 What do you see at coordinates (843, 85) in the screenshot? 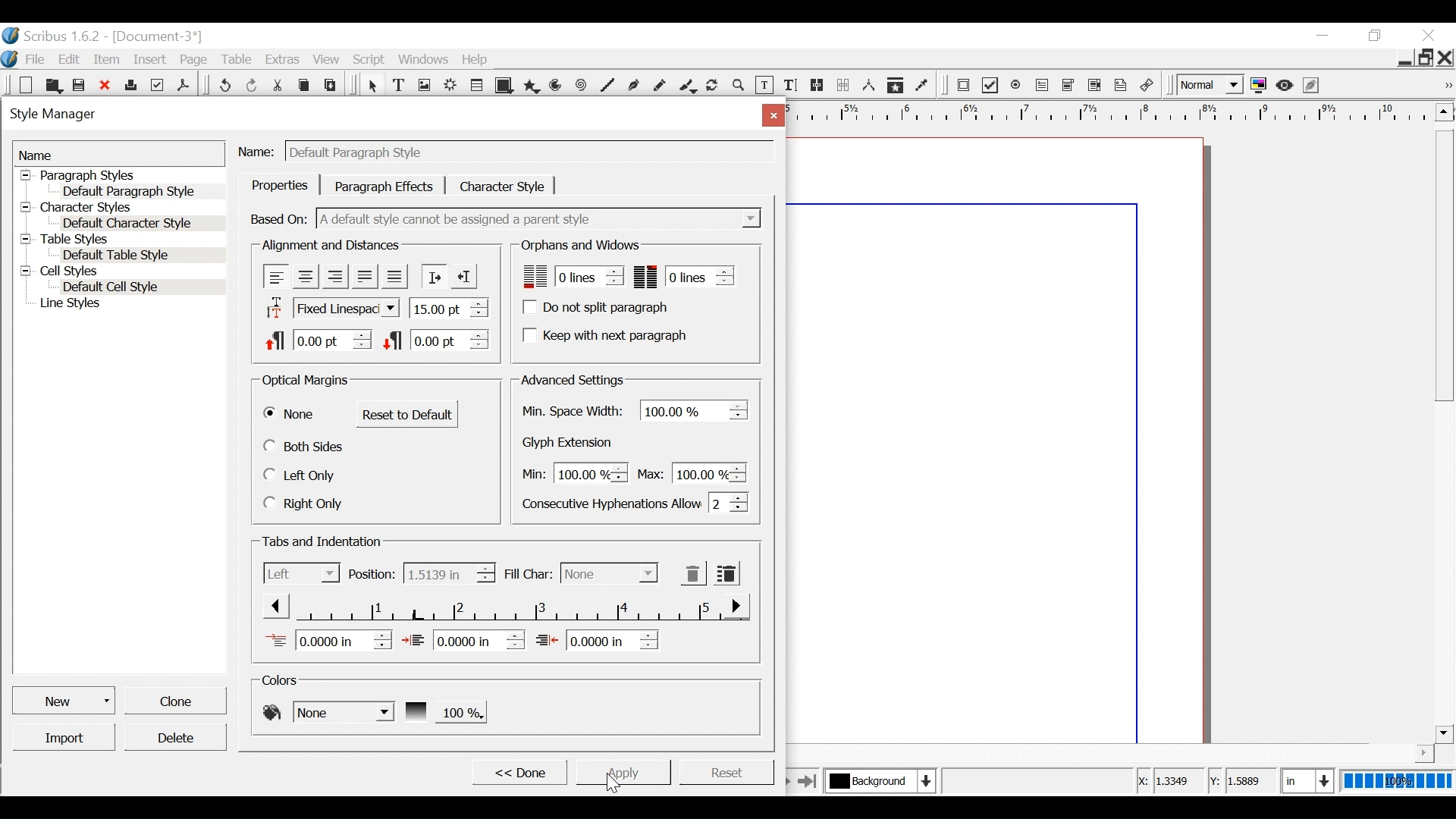
I see `Unlink text frames` at bounding box center [843, 85].